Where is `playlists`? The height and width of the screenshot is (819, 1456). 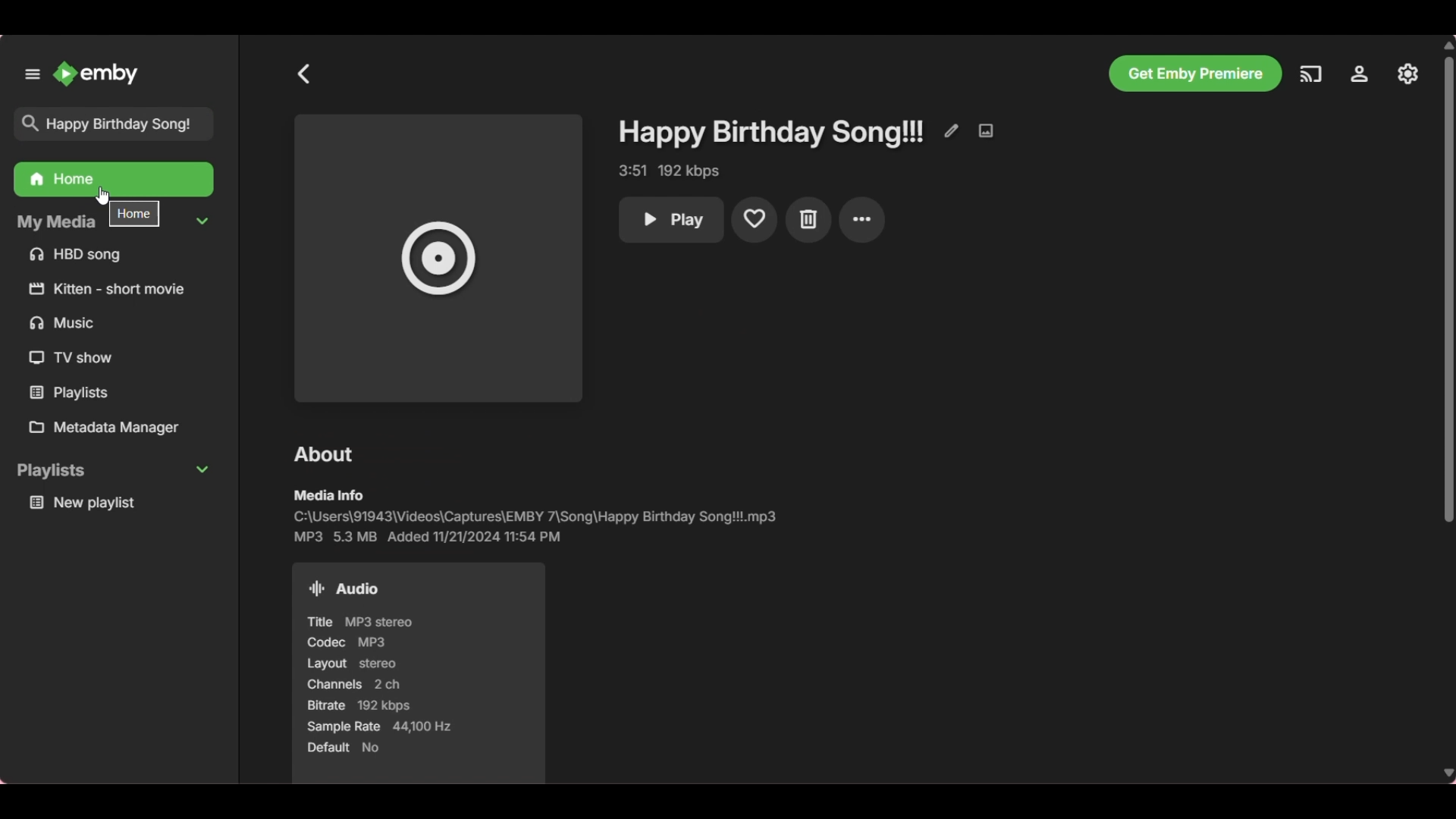
playlists is located at coordinates (114, 471).